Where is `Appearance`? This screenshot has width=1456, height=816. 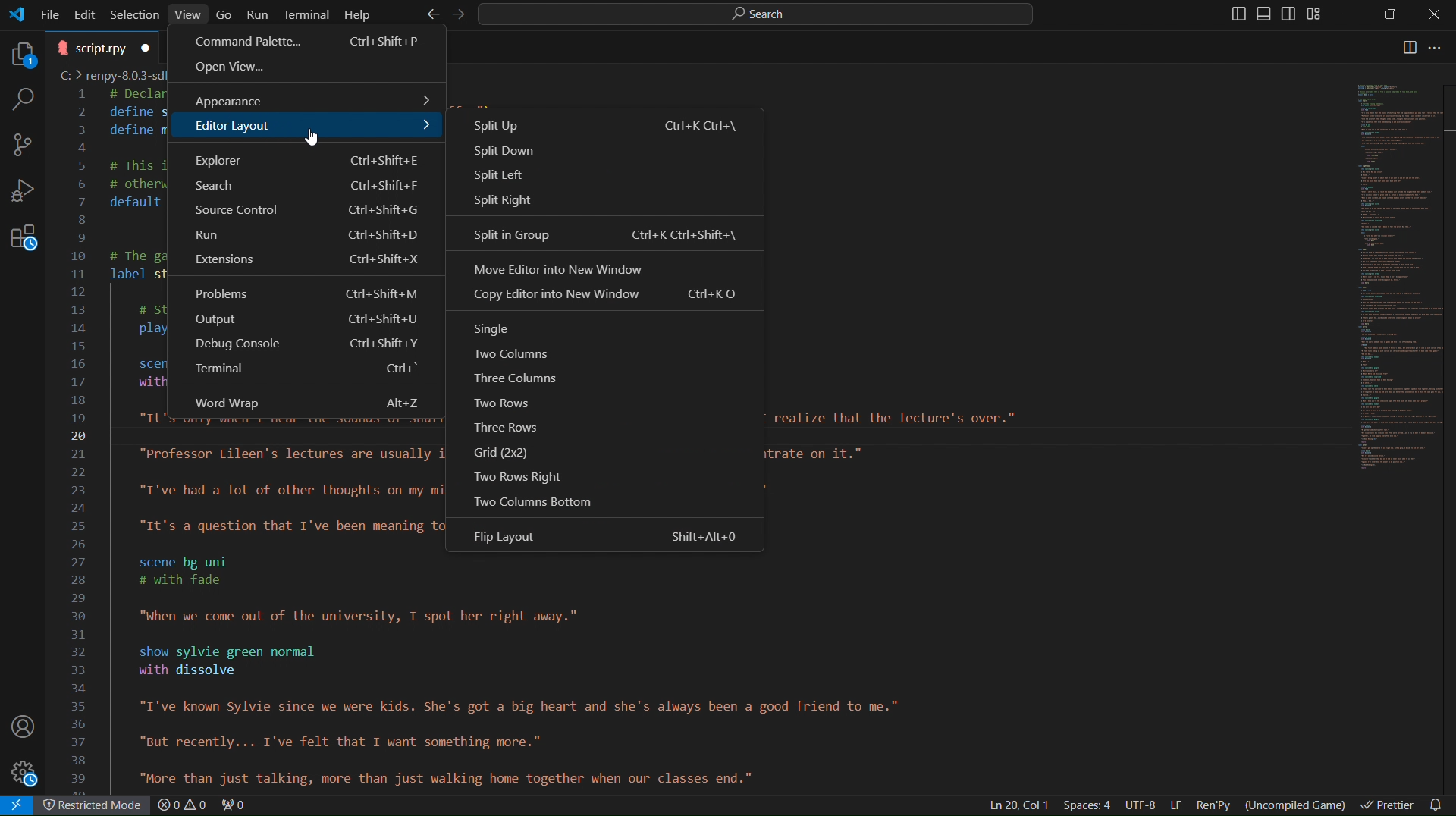 Appearance is located at coordinates (306, 98).